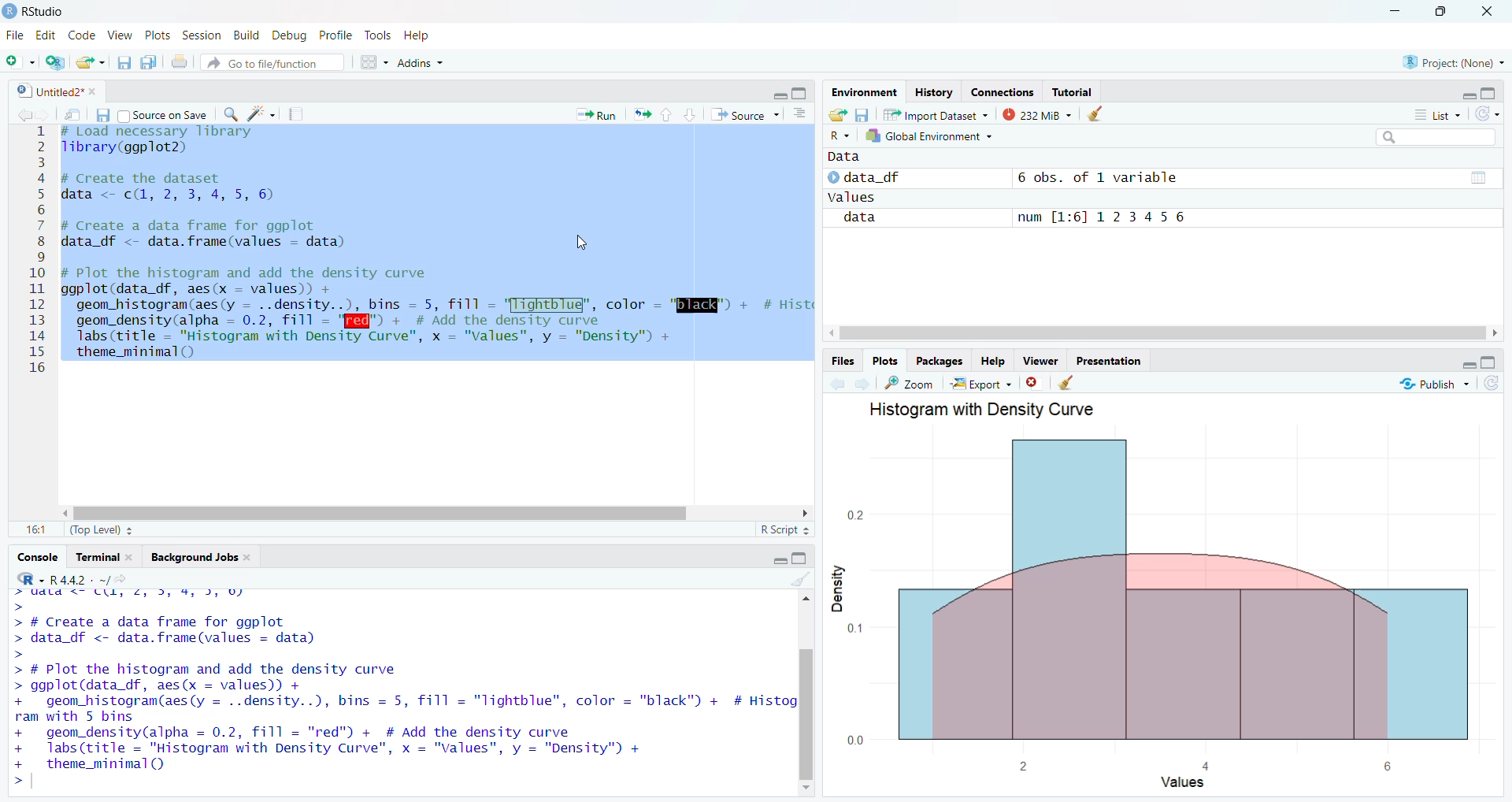 The width and height of the screenshot is (1512, 802). What do you see at coordinates (838, 383) in the screenshot?
I see `previous plot` at bounding box center [838, 383].